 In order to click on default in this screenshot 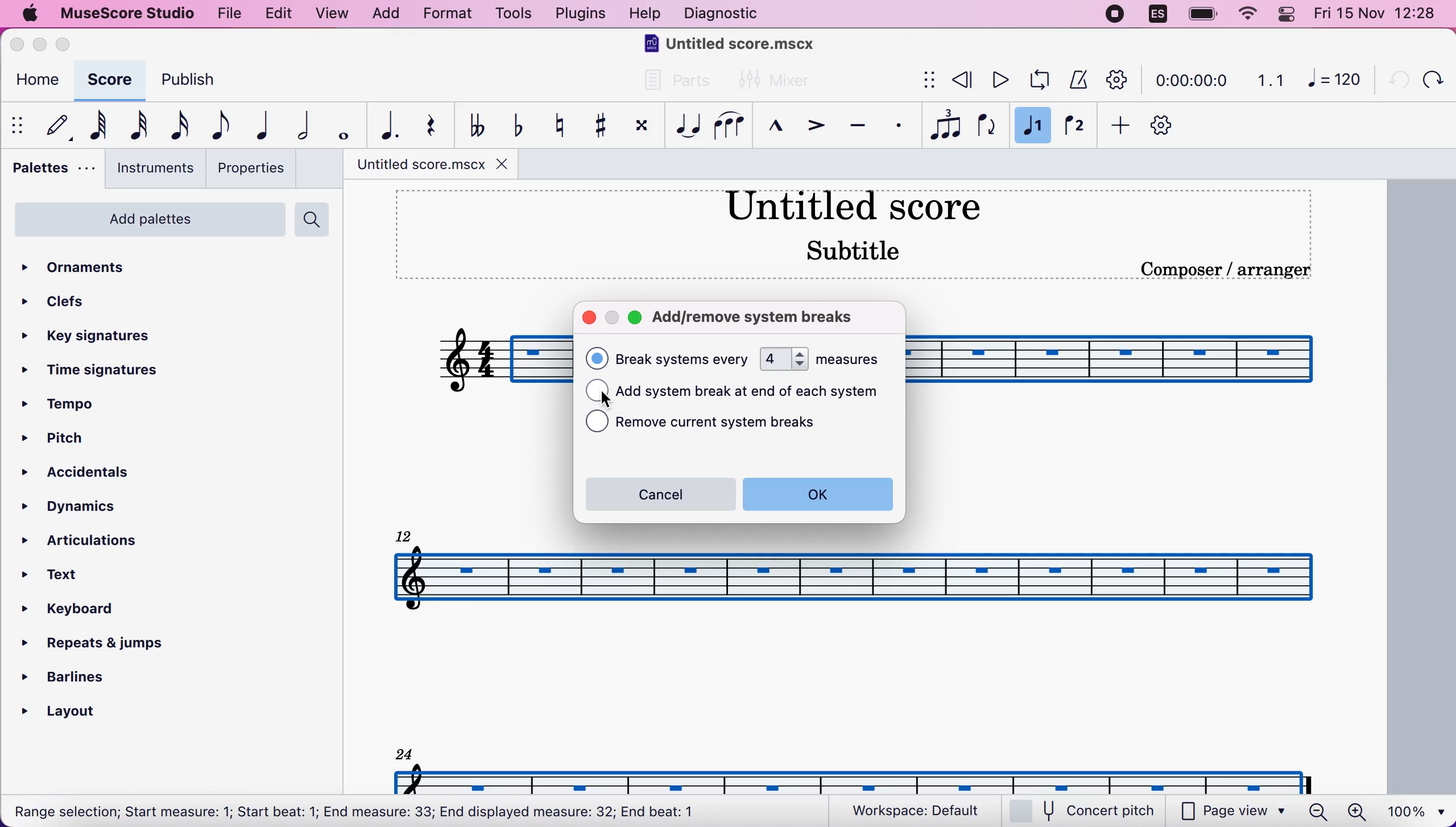, I will do `click(53, 125)`.